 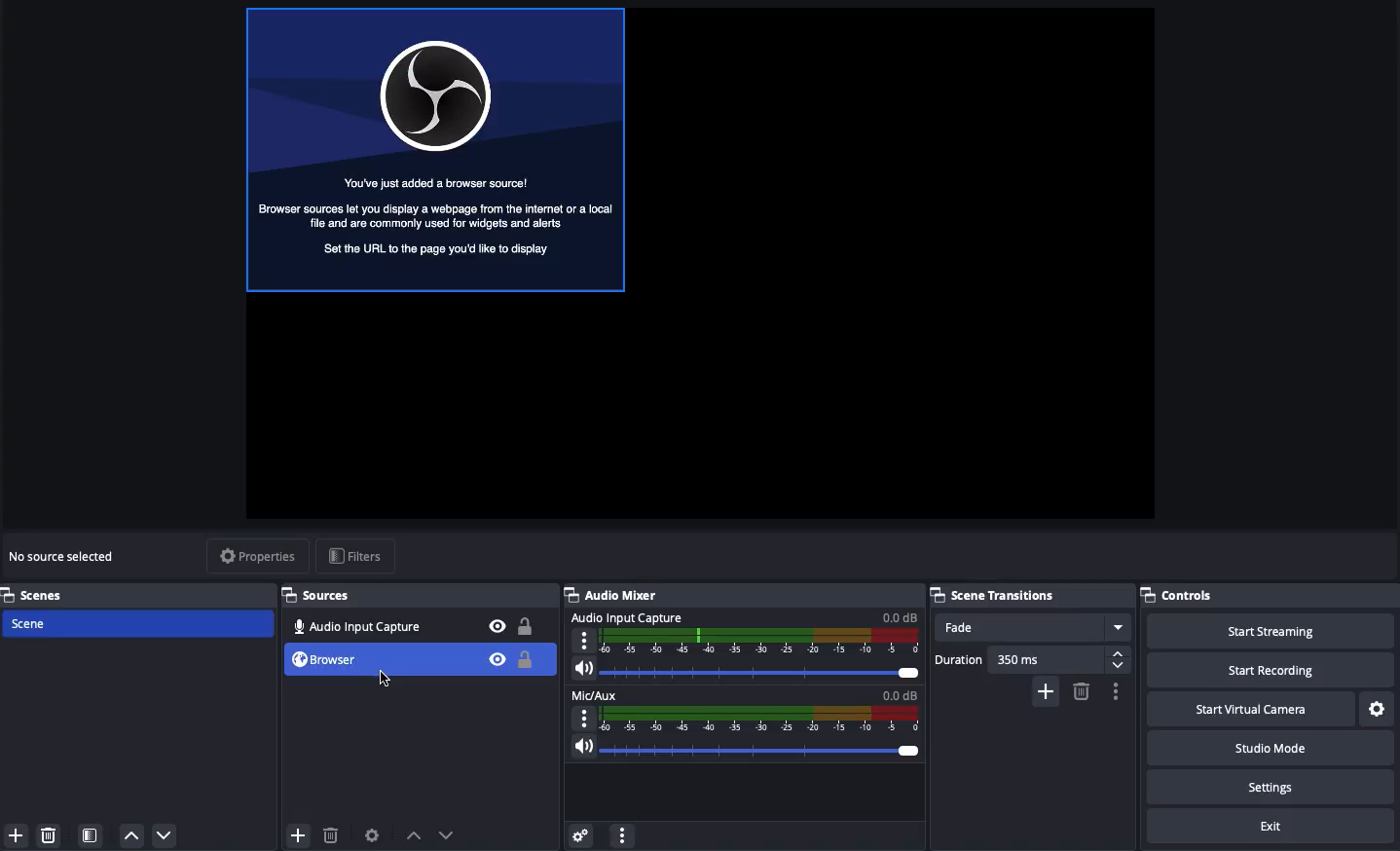 What do you see at coordinates (329, 832) in the screenshot?
I see `Delete` at bounding box center [329, 832].